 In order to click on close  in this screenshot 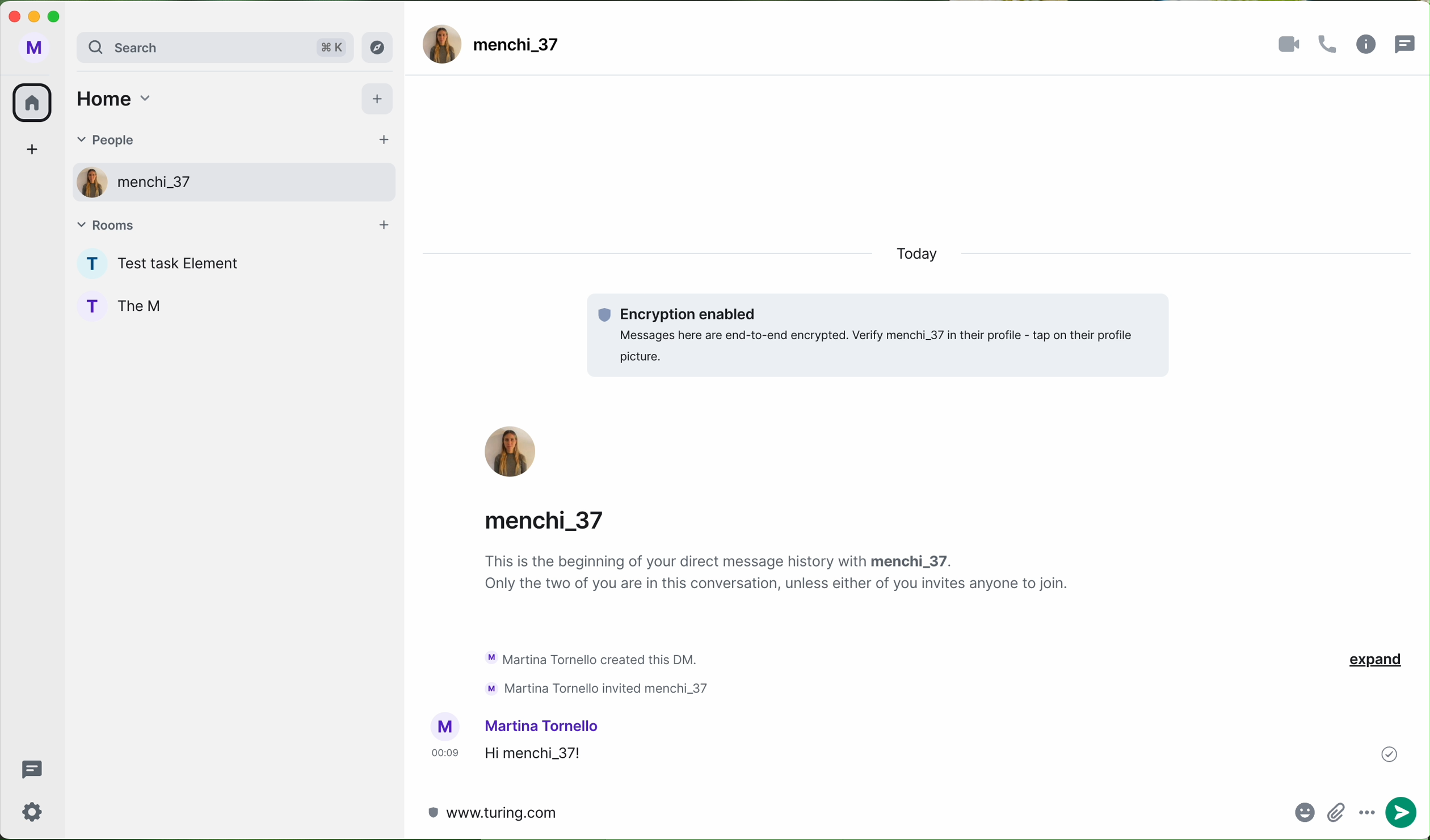, I will do `click(12, 15)`.